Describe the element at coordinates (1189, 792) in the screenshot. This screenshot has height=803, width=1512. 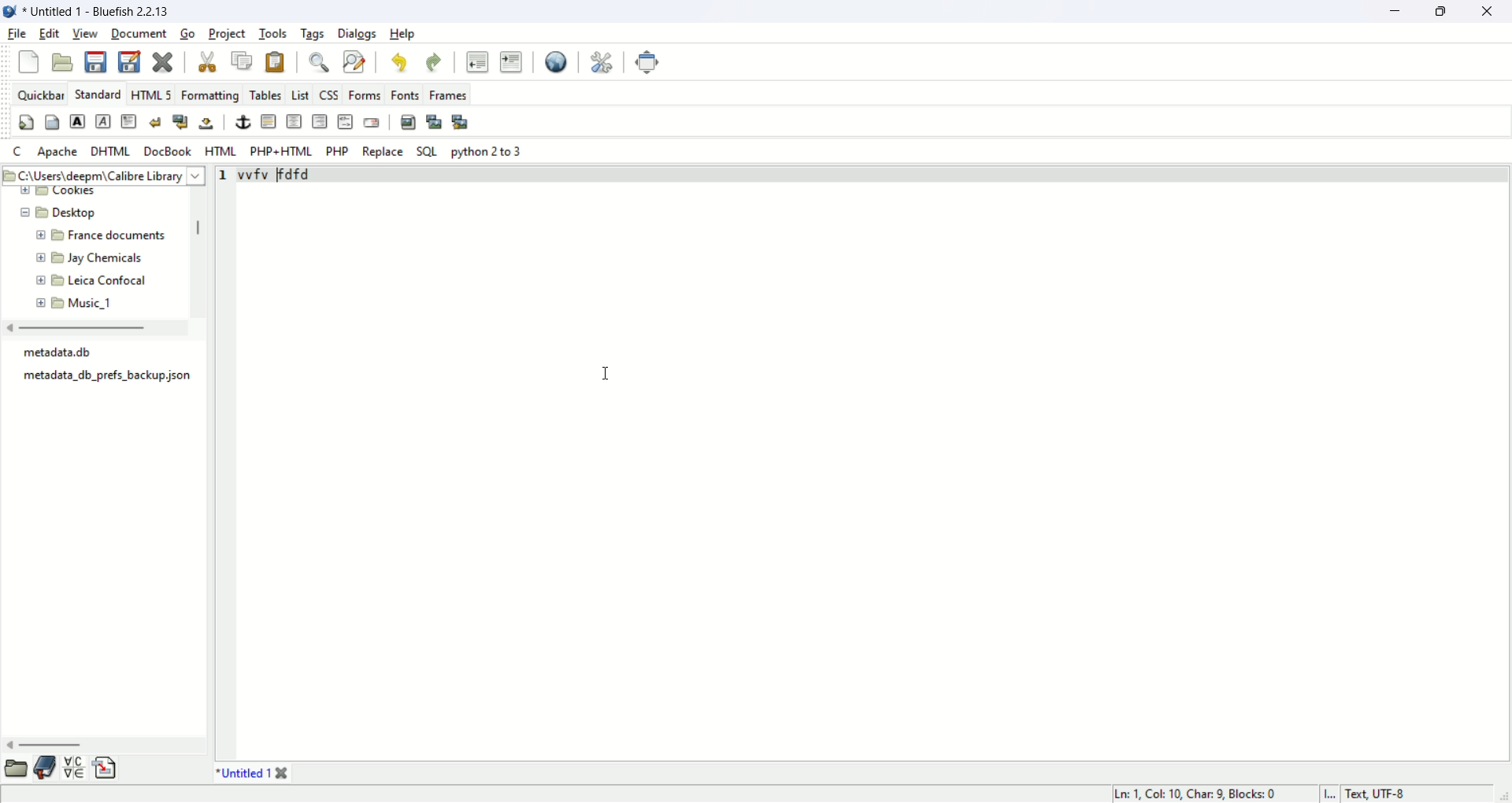
I see `Ln: 1, Col 6, Char: 5, Blocks: 0` at that location.